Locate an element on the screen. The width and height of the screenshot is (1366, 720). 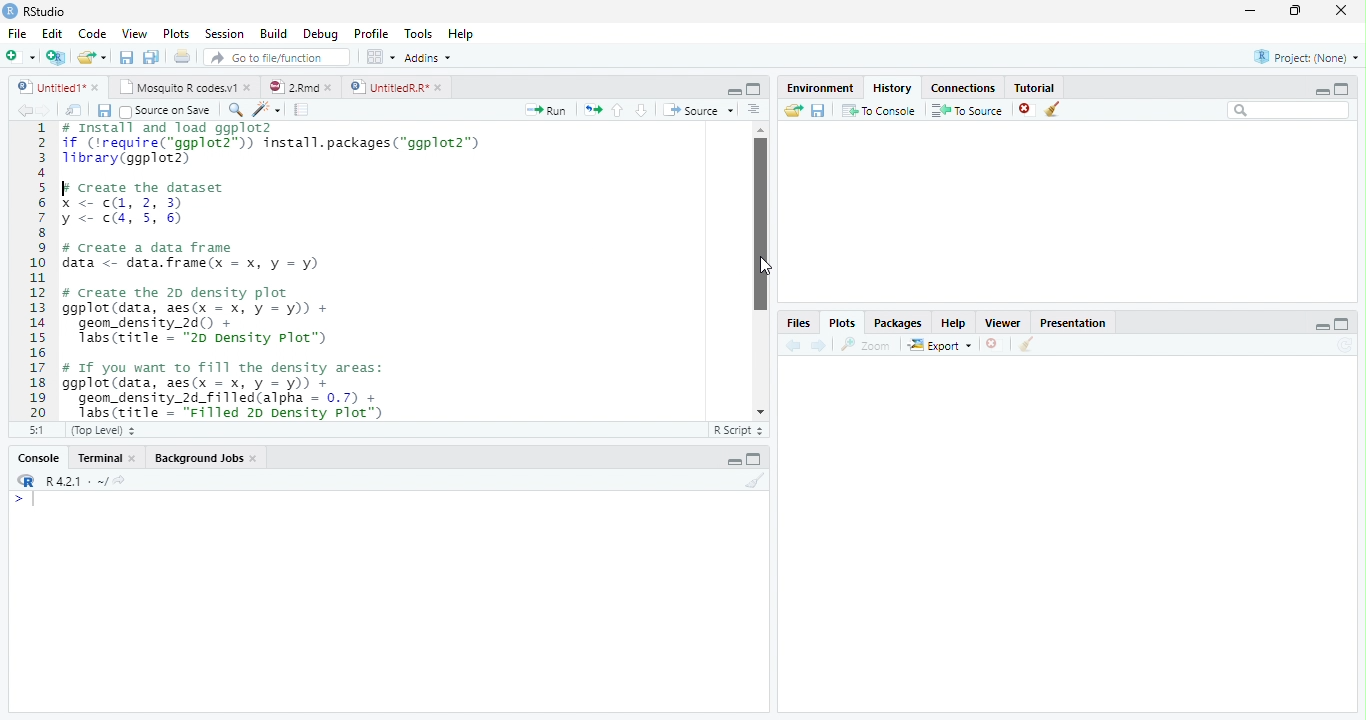
close is located at coordinates (136, 458).